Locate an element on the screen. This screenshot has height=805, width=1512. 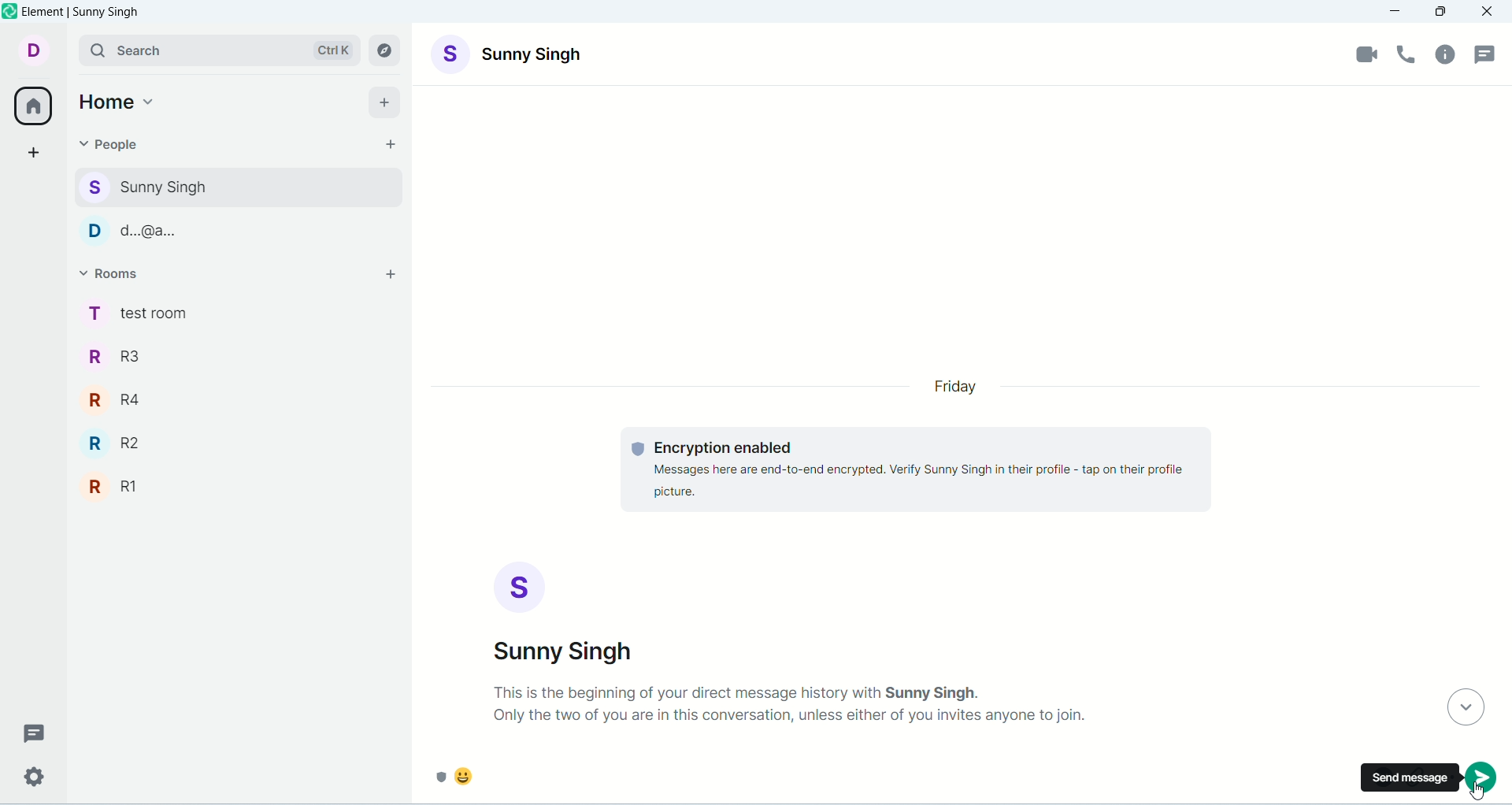
room info is located at coordinates (1445, 58).